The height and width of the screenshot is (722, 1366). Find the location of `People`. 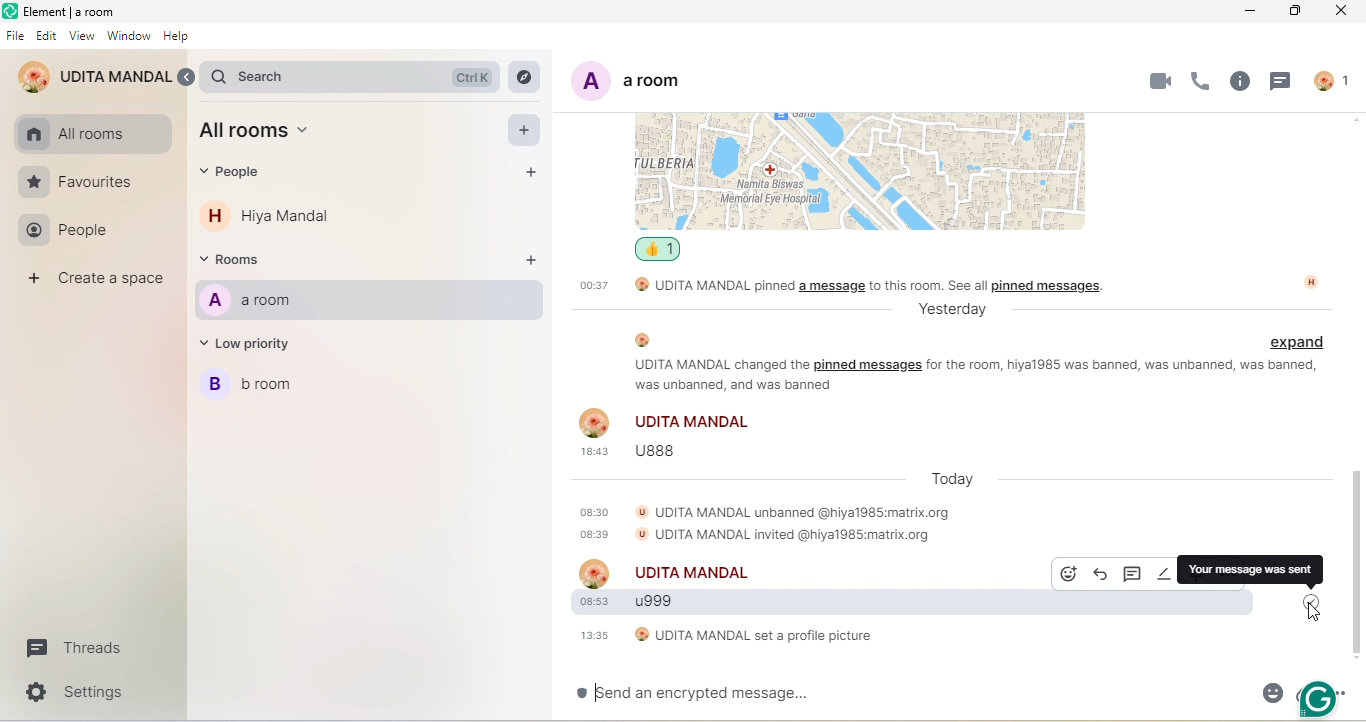

People is located at coordinates (69, 231).